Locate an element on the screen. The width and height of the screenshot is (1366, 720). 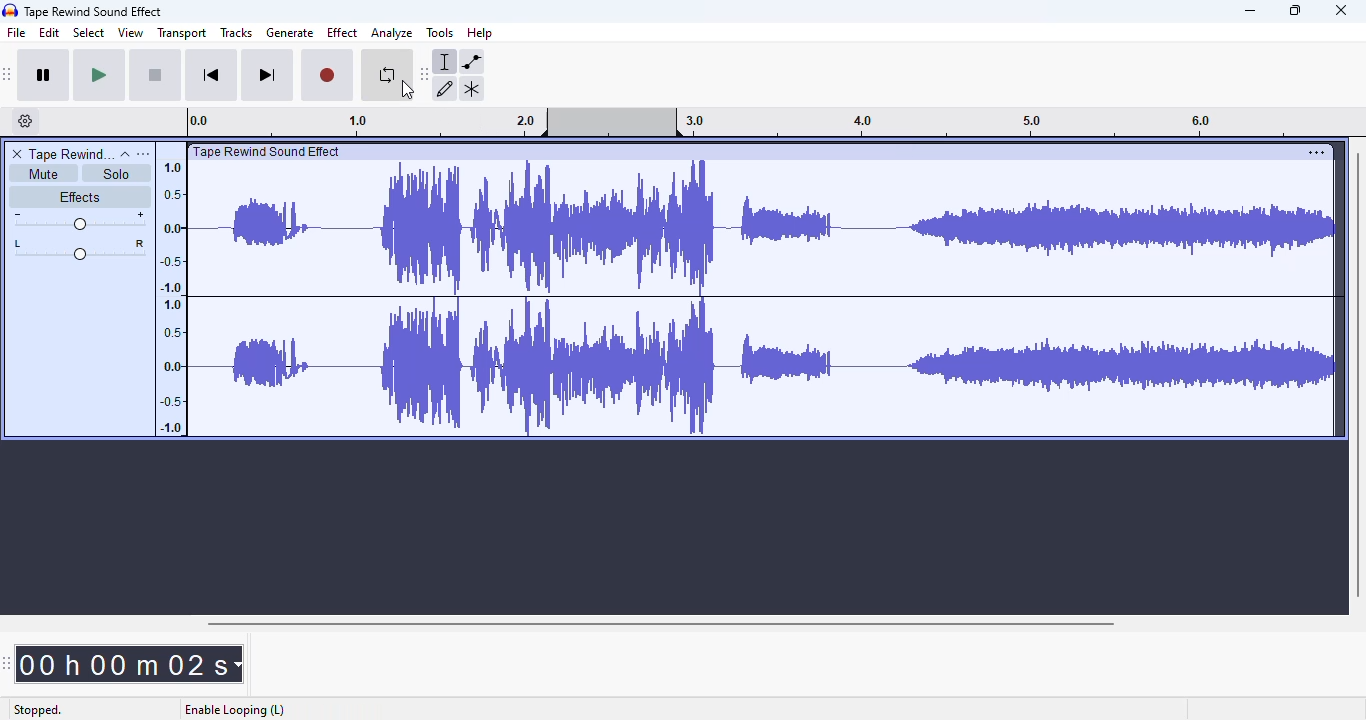
enable looping (L) is located at coordinates (236, 711).